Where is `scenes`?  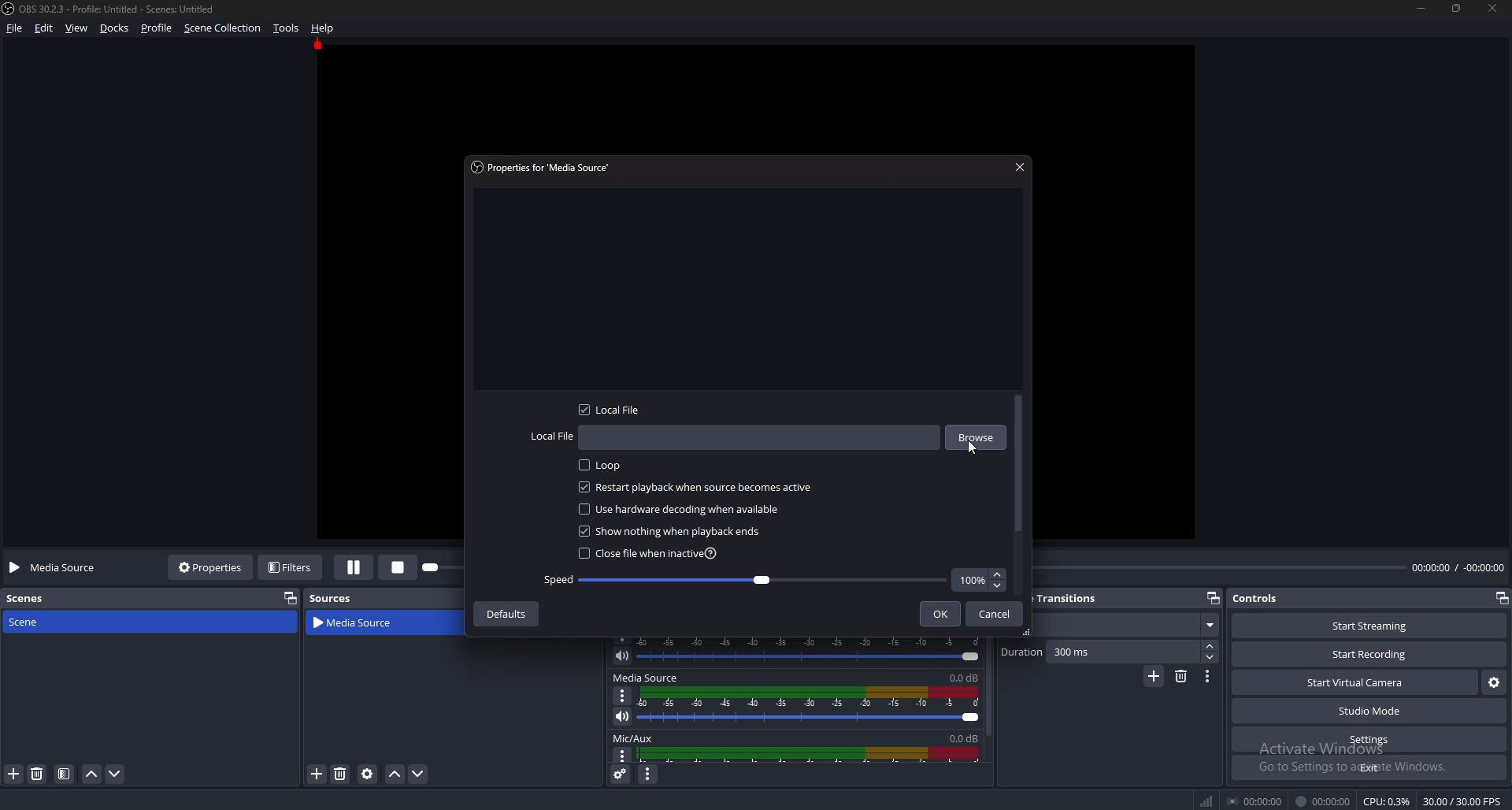
scenes is located at coordinates (33, 597).